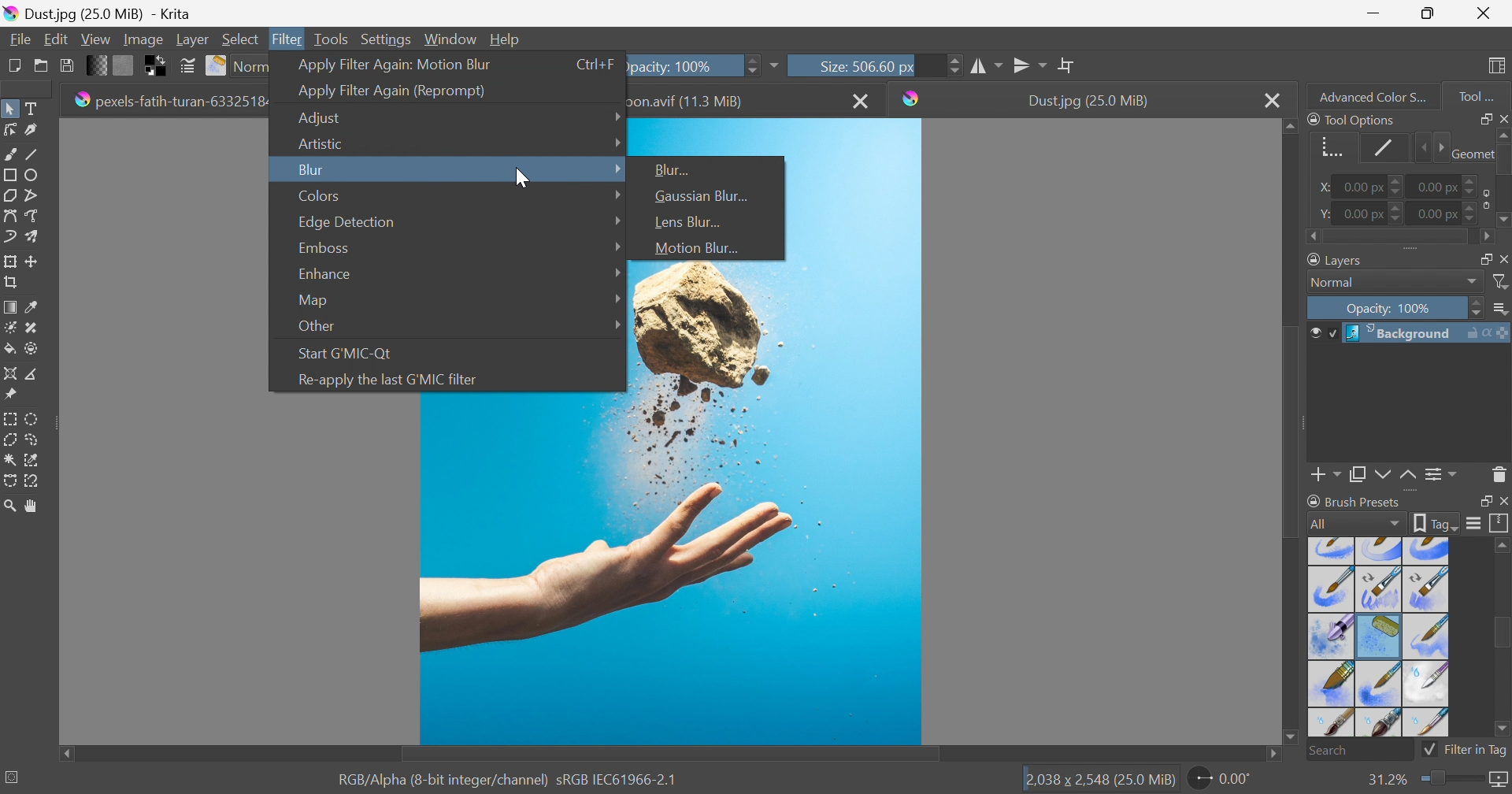 This screenshot has height=794, width=1512. Describe the element at coordinates (1449, 779) in the screenshot. I see `Slider` at that location.